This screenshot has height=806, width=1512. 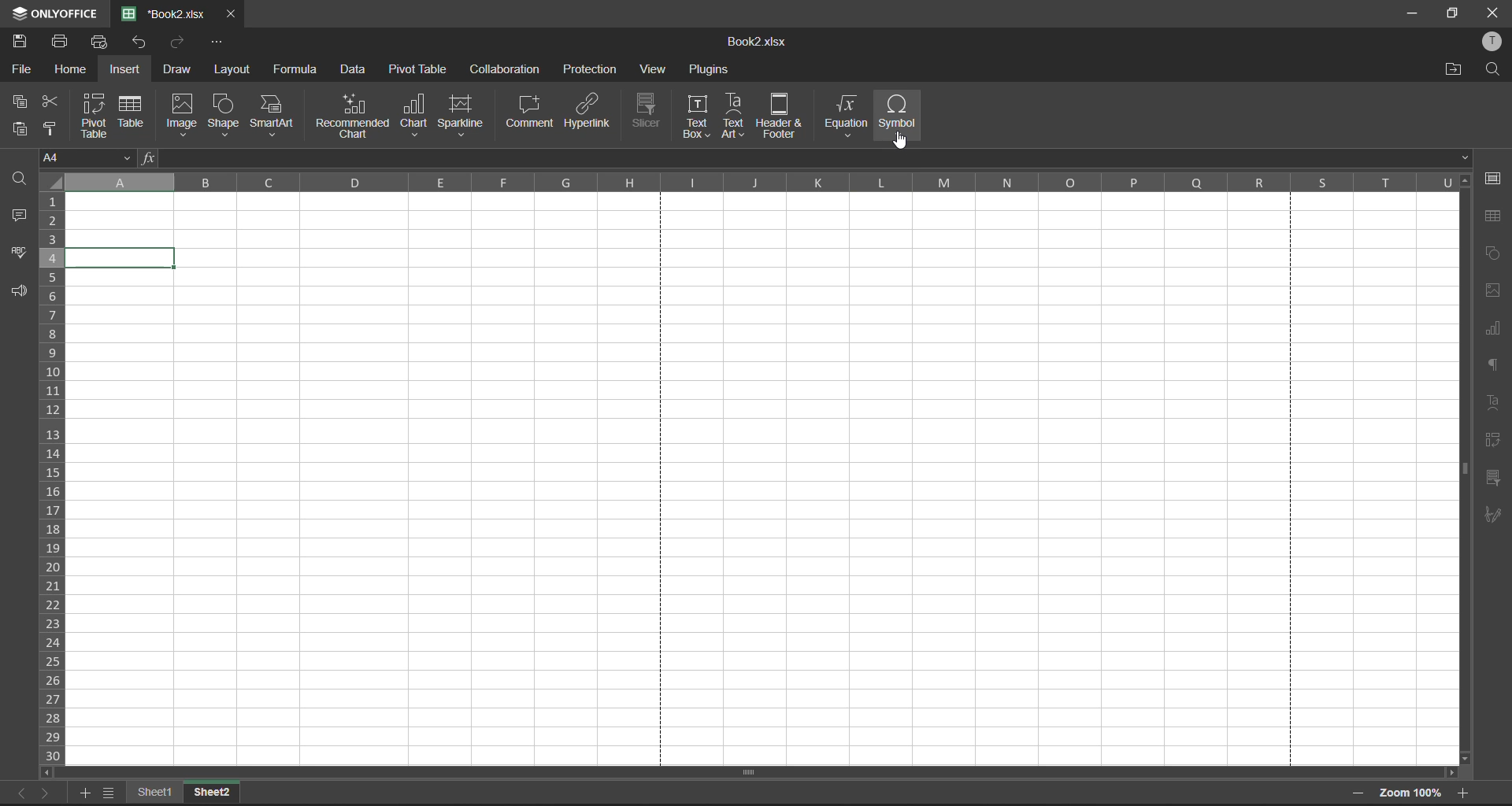 What do you see at coordinates (1493, 217) in the screenshot?
I see `table` at bounding box center [1493, 217].